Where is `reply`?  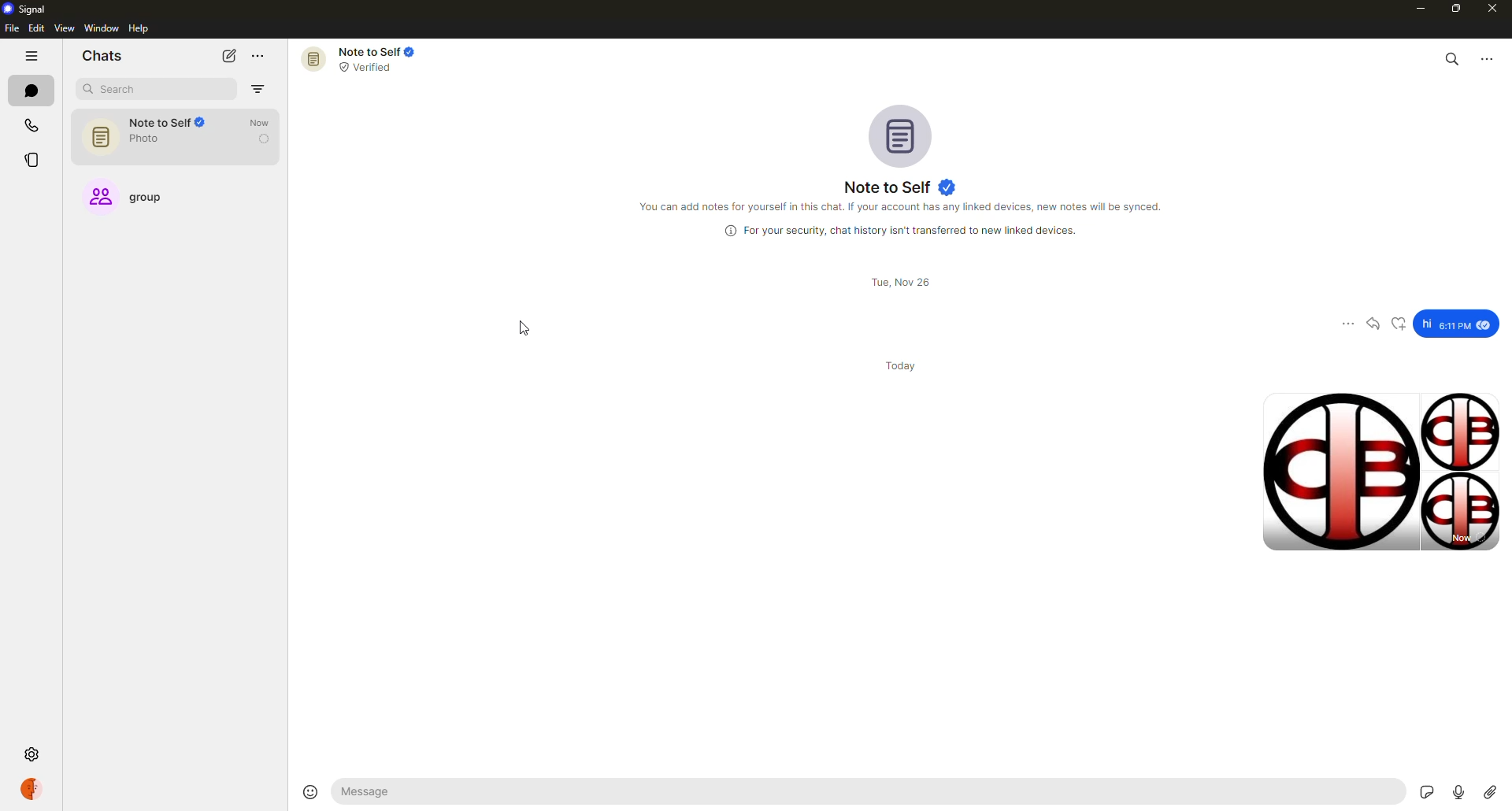
reply is located at coordinates (1377, 324).